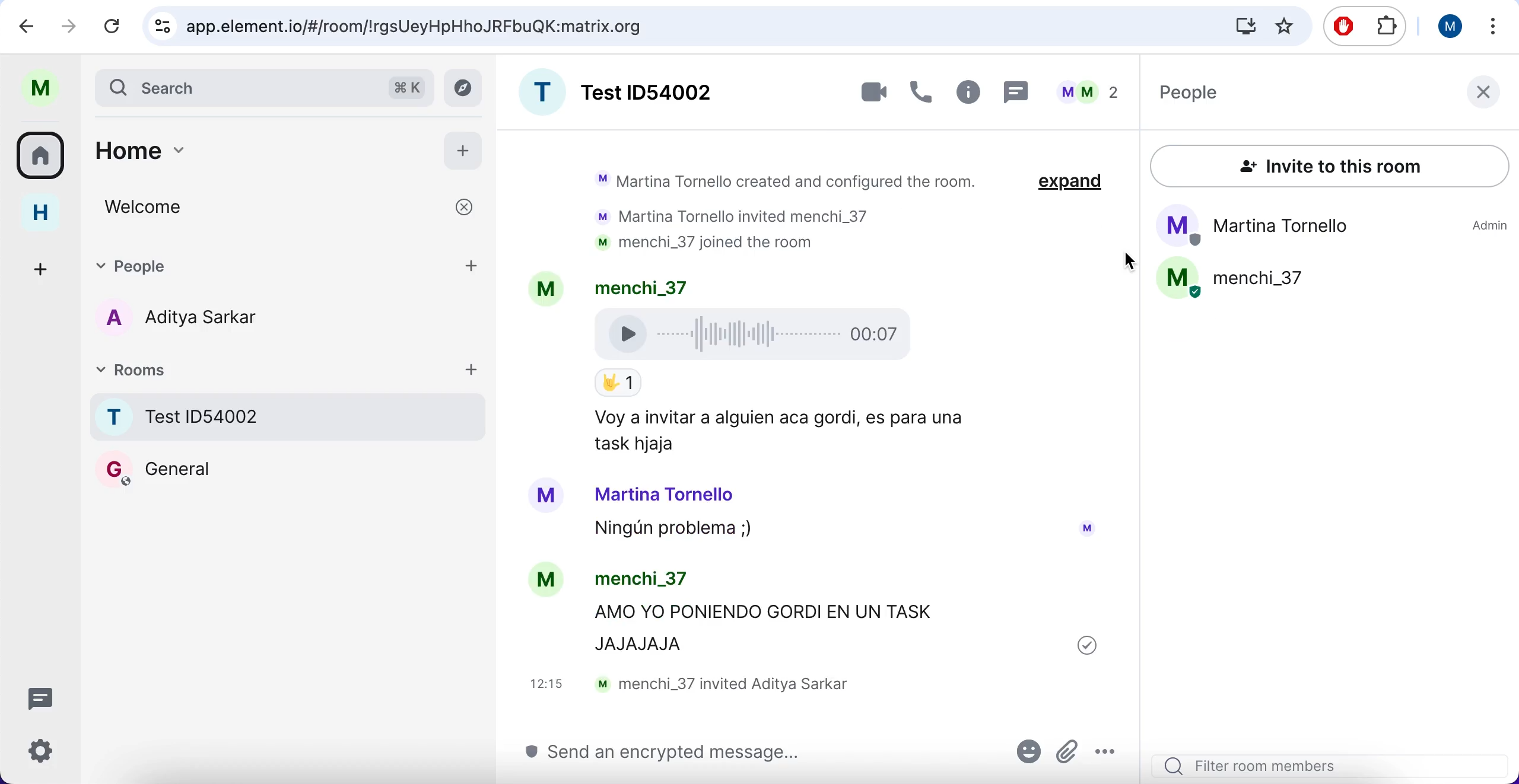 The image size is (1519, 784). What do you see at coordinates (1094, 91) in the screenshot?
I see `members` at bounding box center [1094, 91].